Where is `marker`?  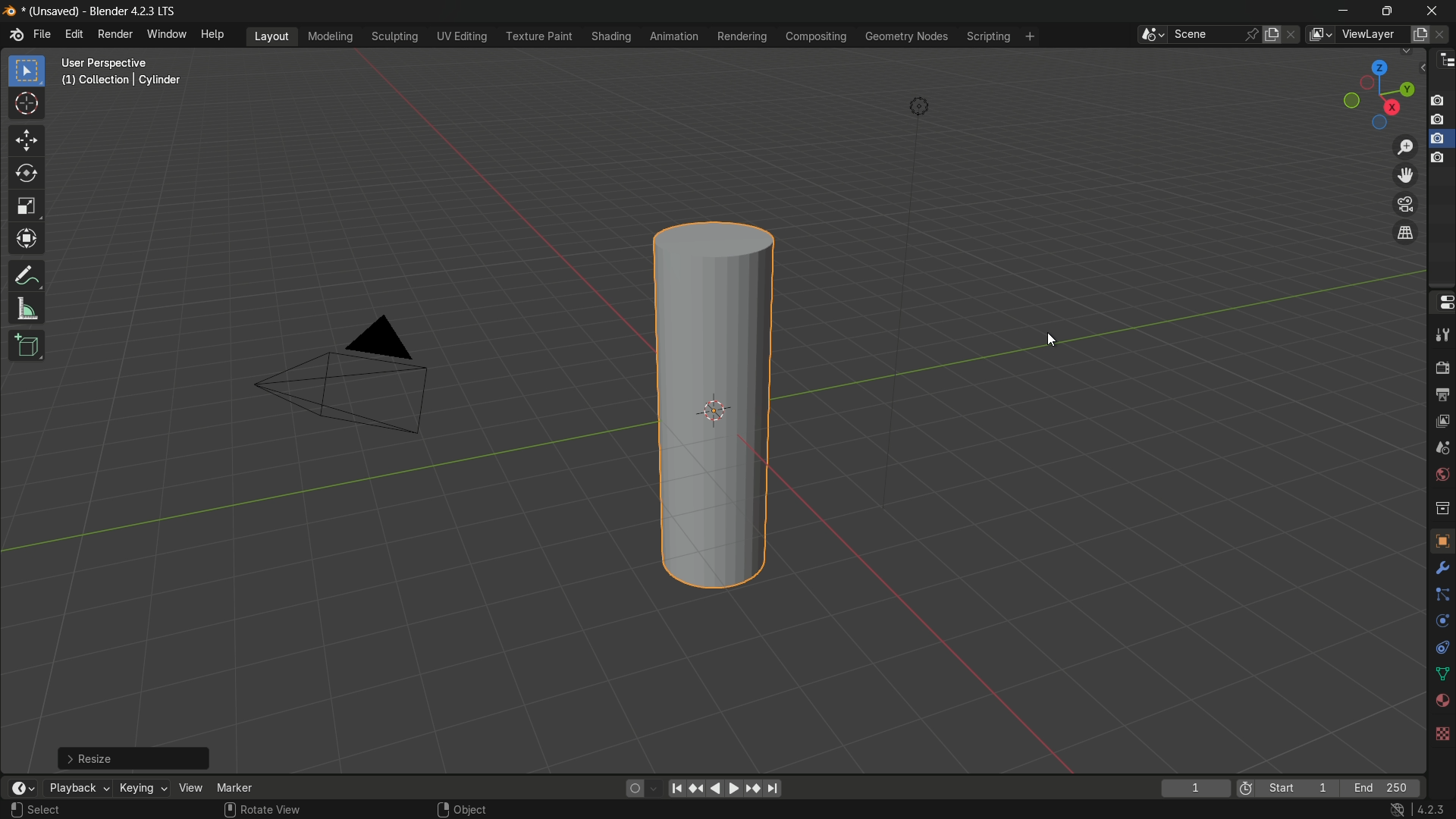
marker is located at coordinates (234, 788).